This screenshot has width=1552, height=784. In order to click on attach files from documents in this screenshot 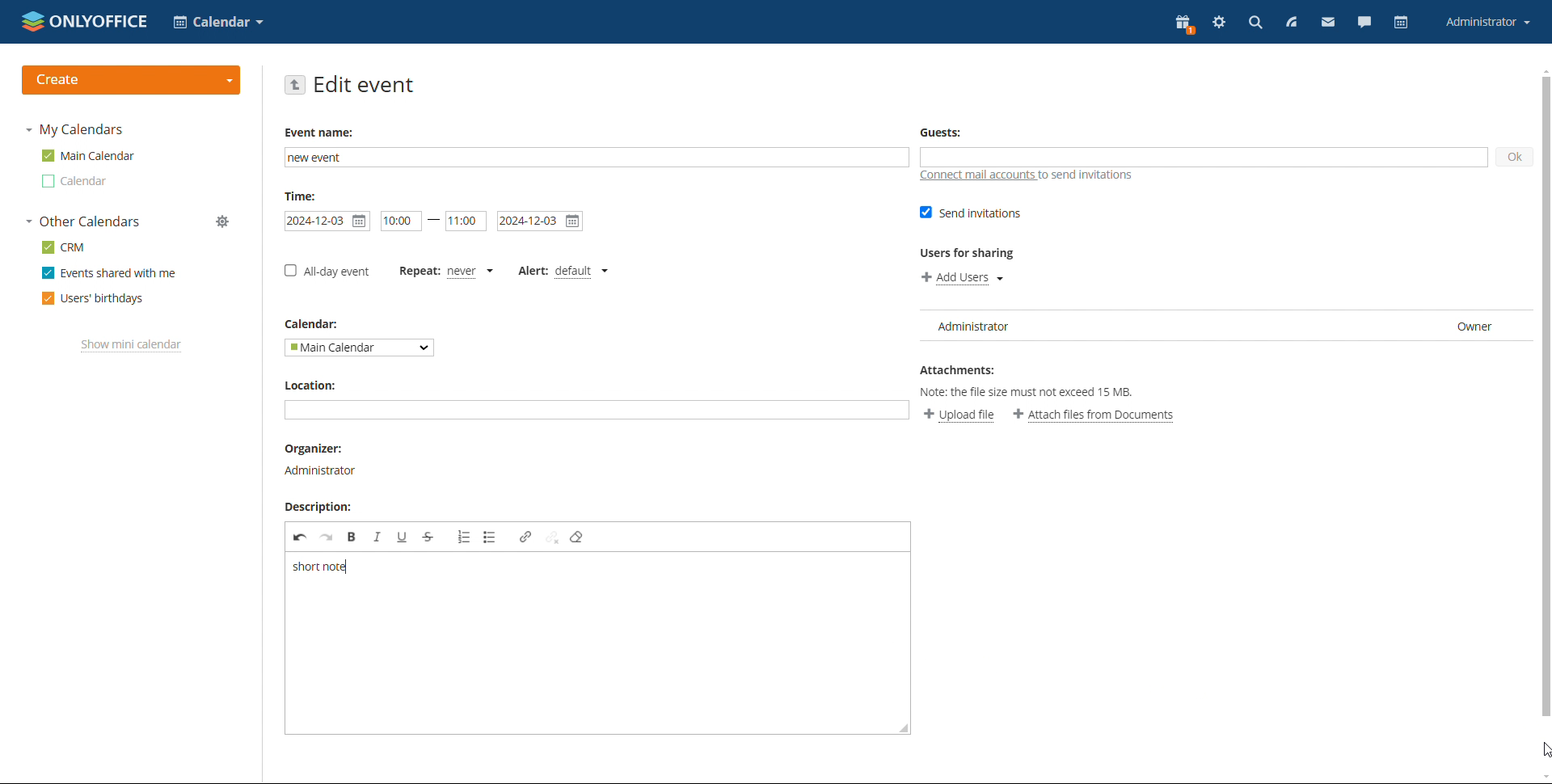, I will do `click(1094, 415)`.